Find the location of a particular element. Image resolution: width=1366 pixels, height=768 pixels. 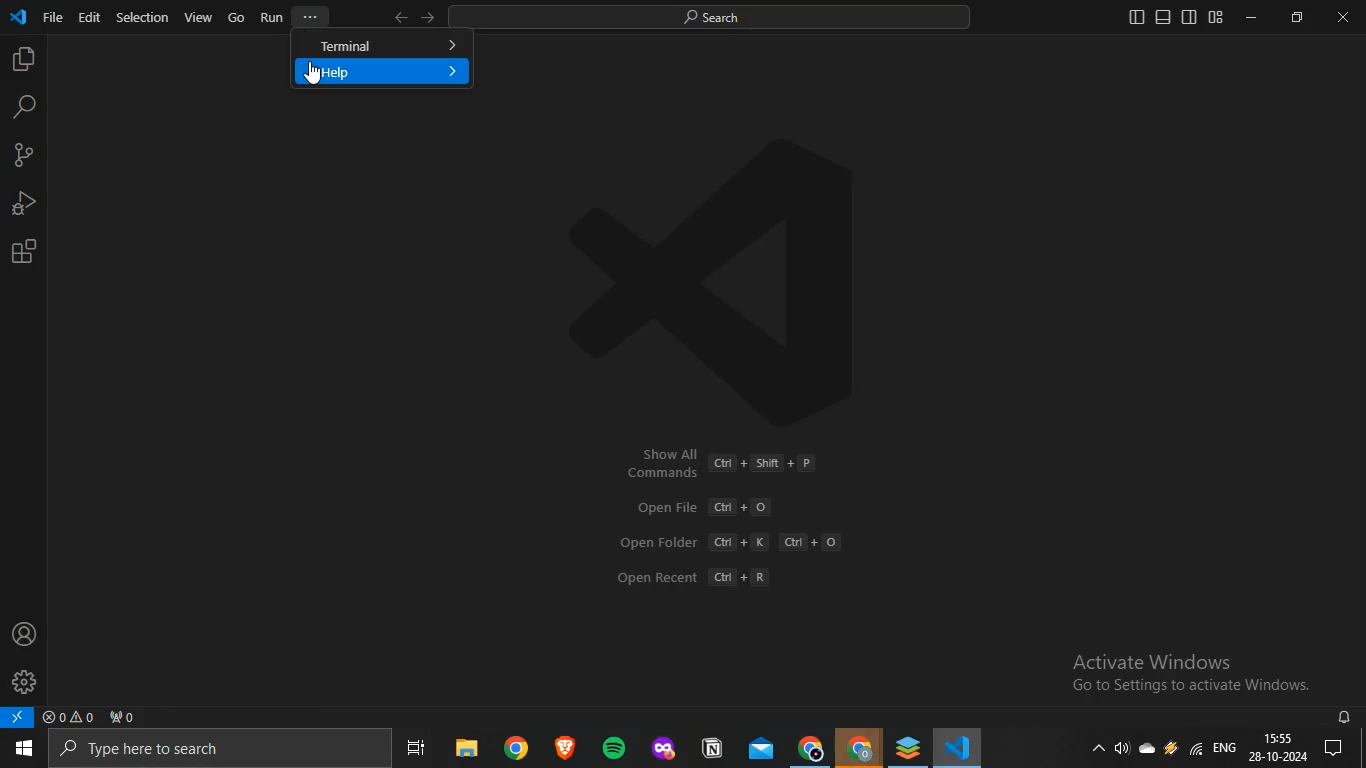

onedrive is located at coordinates (1148, 753).